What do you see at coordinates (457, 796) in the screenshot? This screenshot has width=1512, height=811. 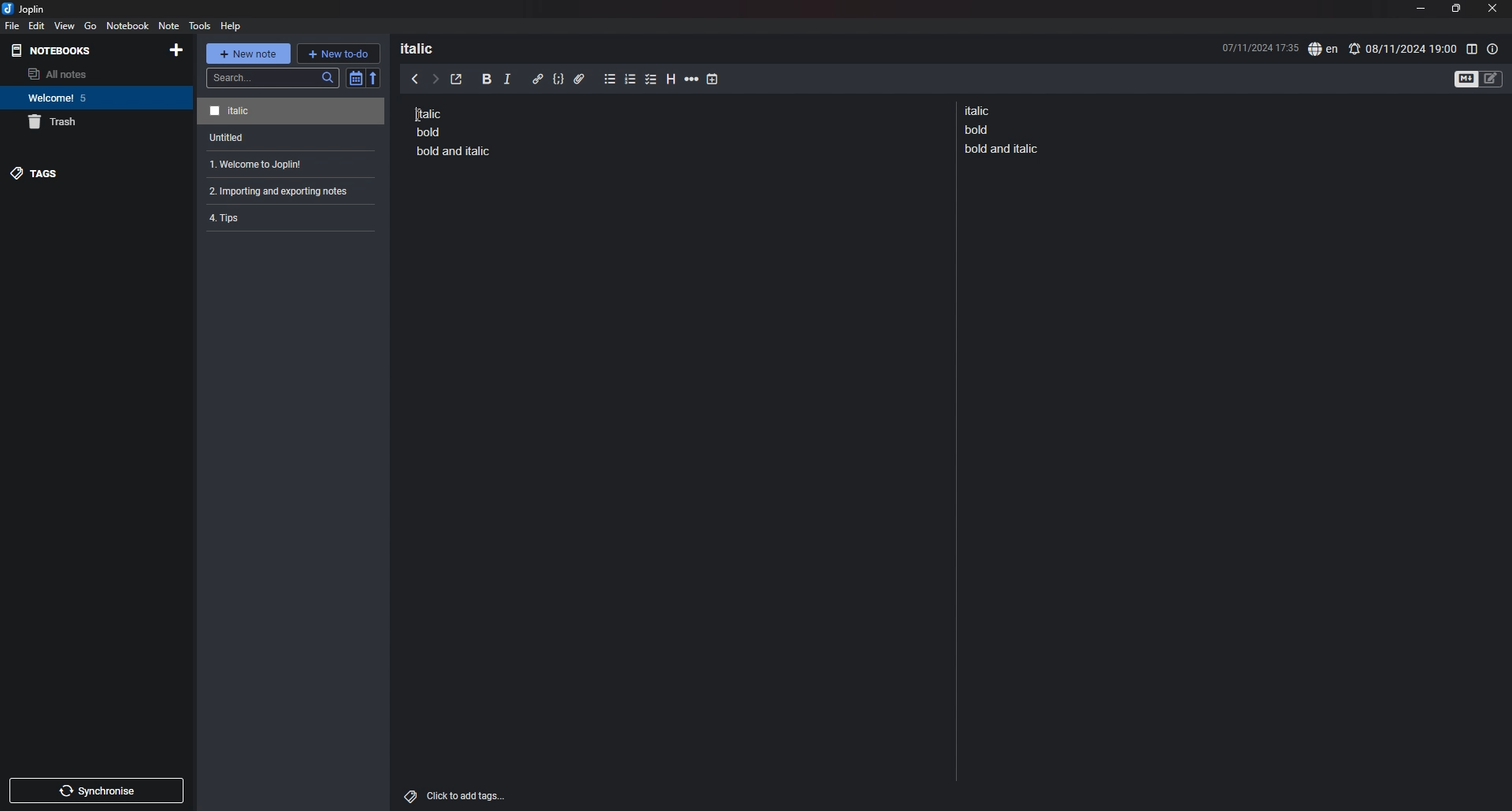 I see `add tags` at bounding box center [457, 796].